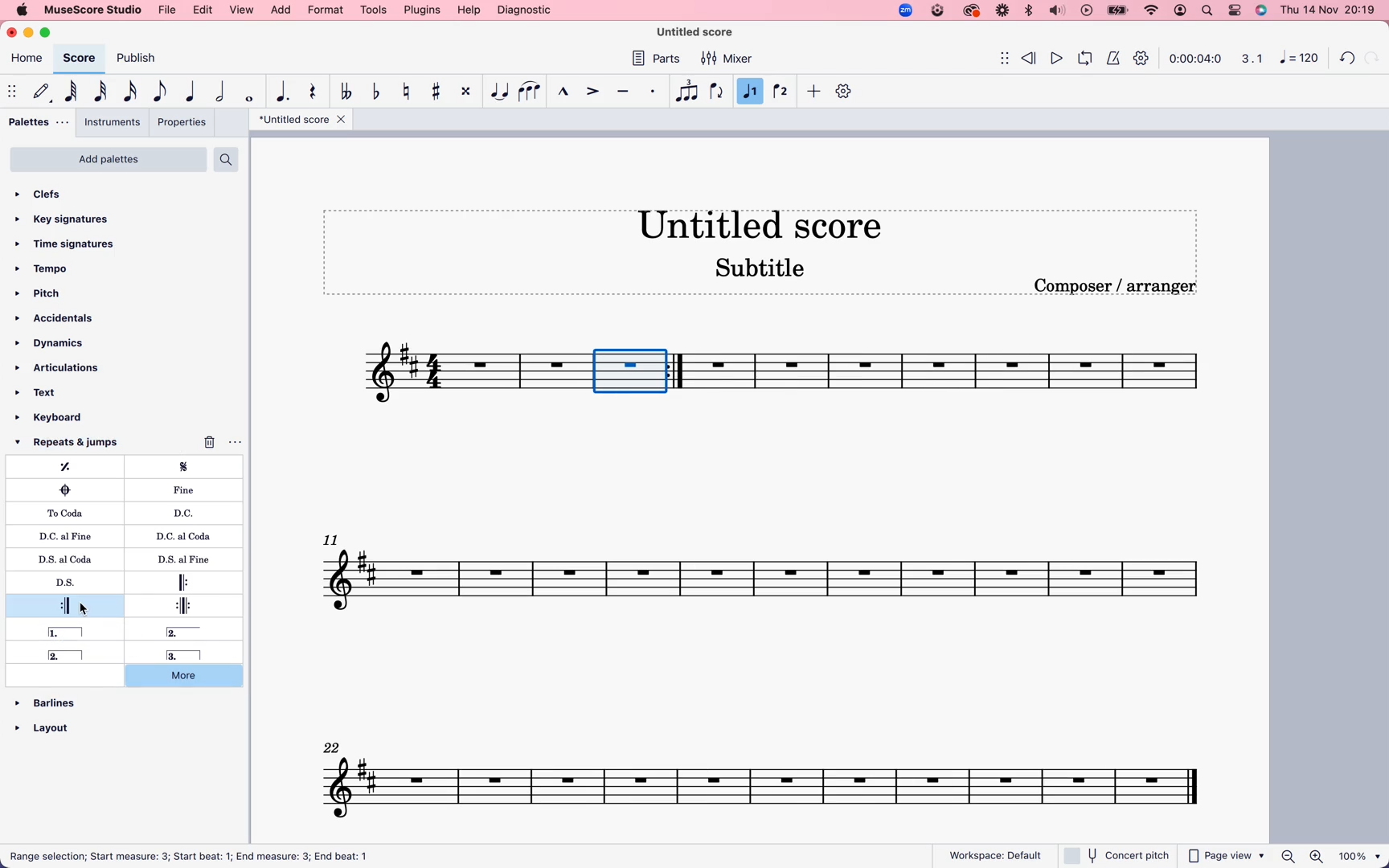  I want to click on right end repeat sign, so click(66, 604).